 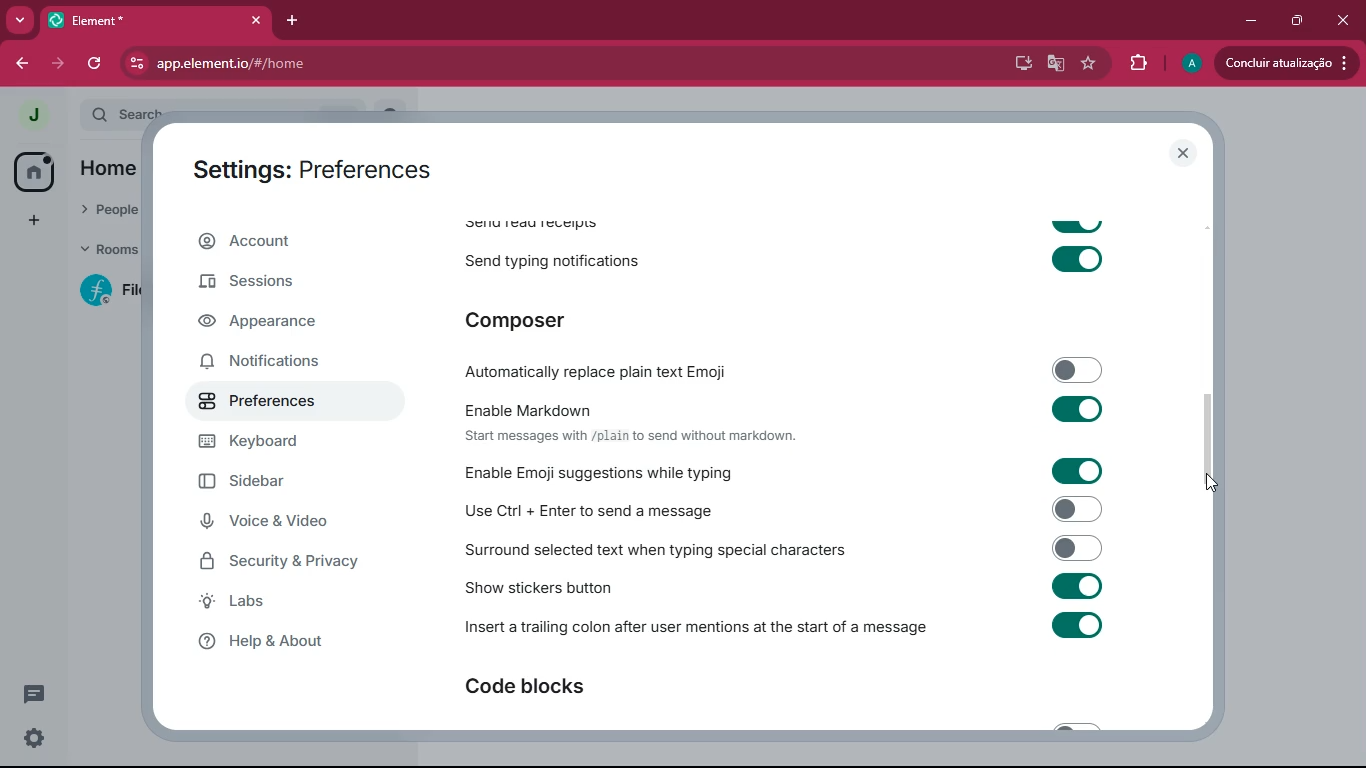 I want to click on close, so click(x=1185, y=153).